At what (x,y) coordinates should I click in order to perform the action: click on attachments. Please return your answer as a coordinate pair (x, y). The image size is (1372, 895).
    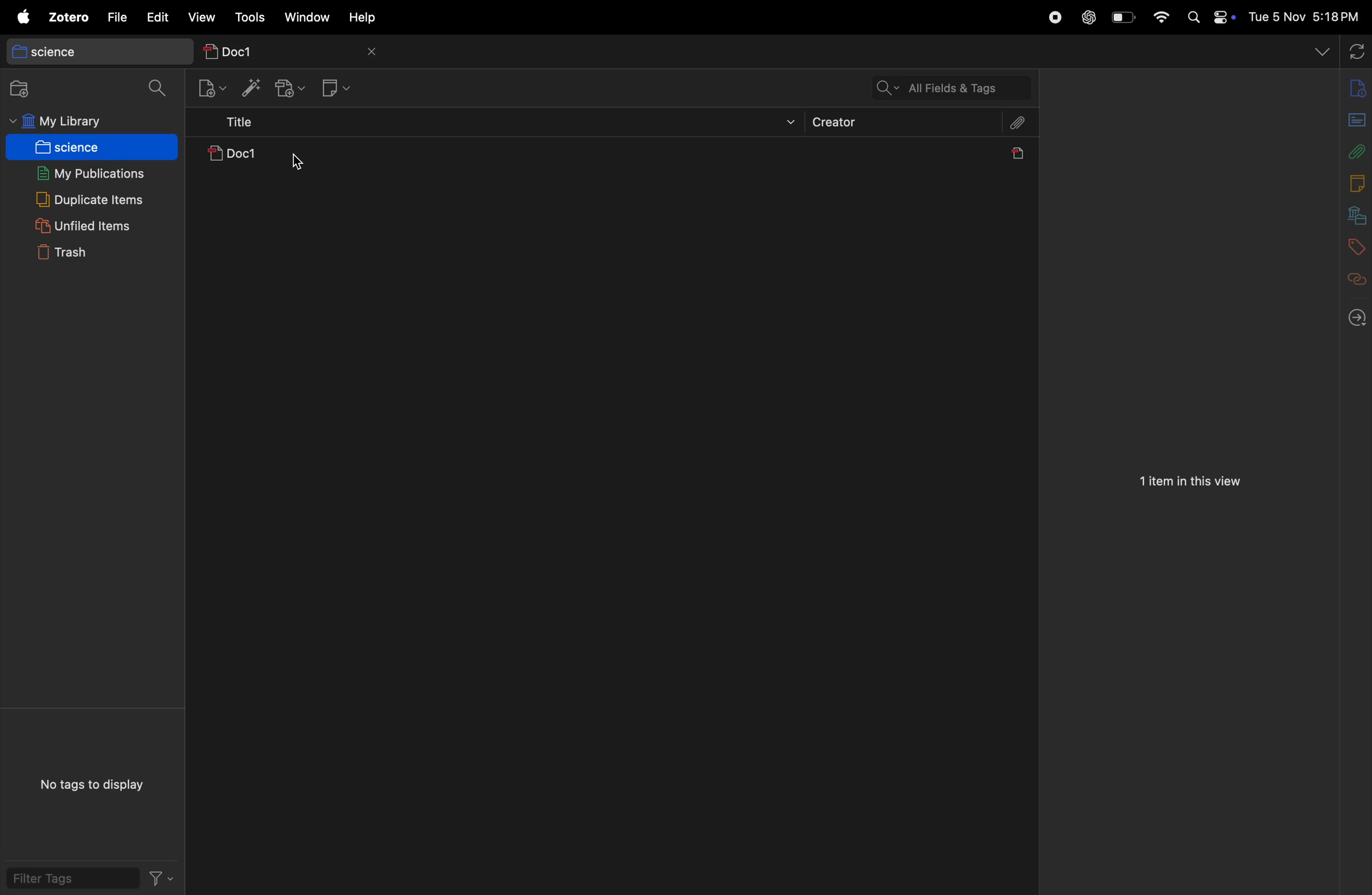
    Looking at the image, I should click on (1017, 126).